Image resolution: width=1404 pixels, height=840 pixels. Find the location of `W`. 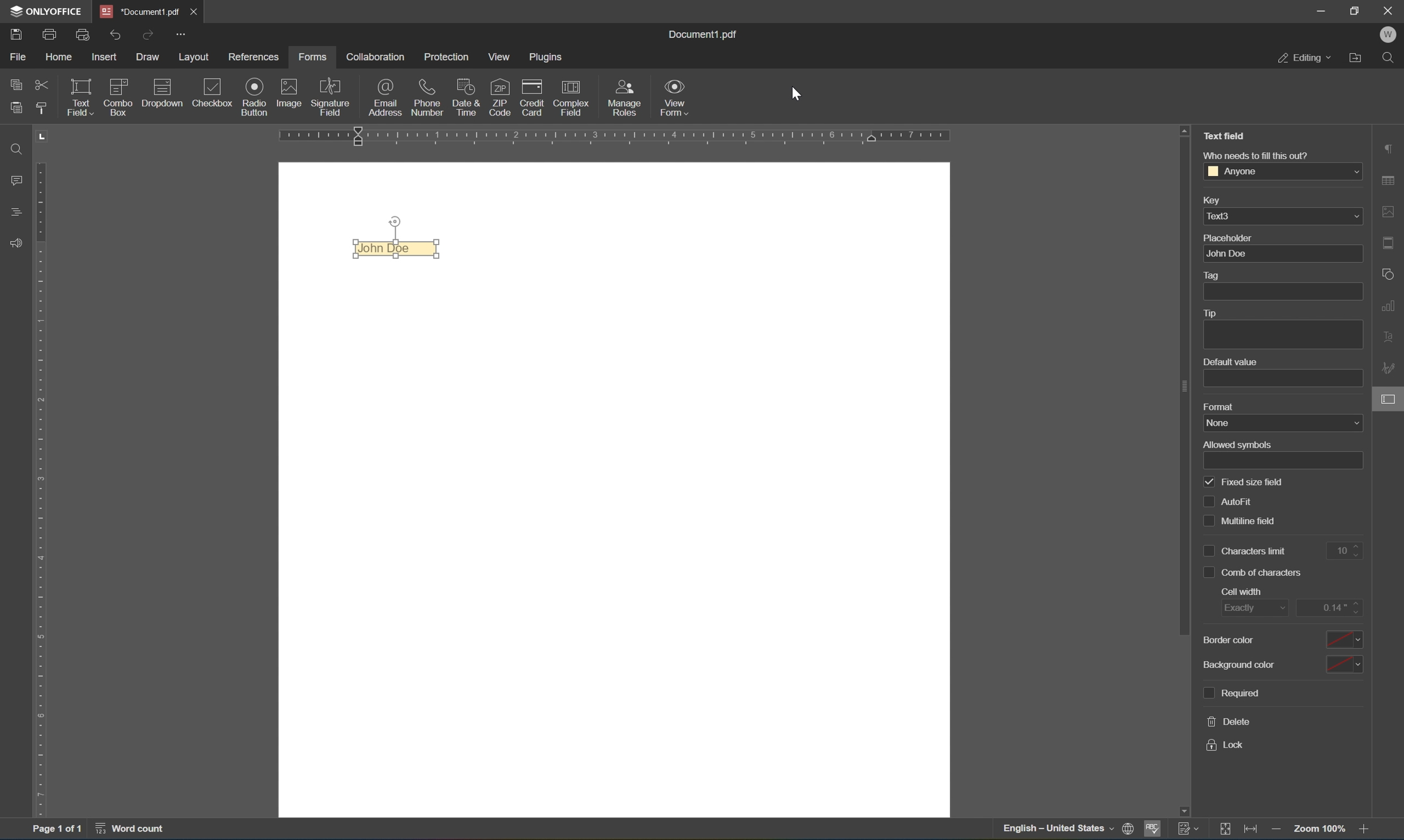

W is located at coordinates (1392, 33).